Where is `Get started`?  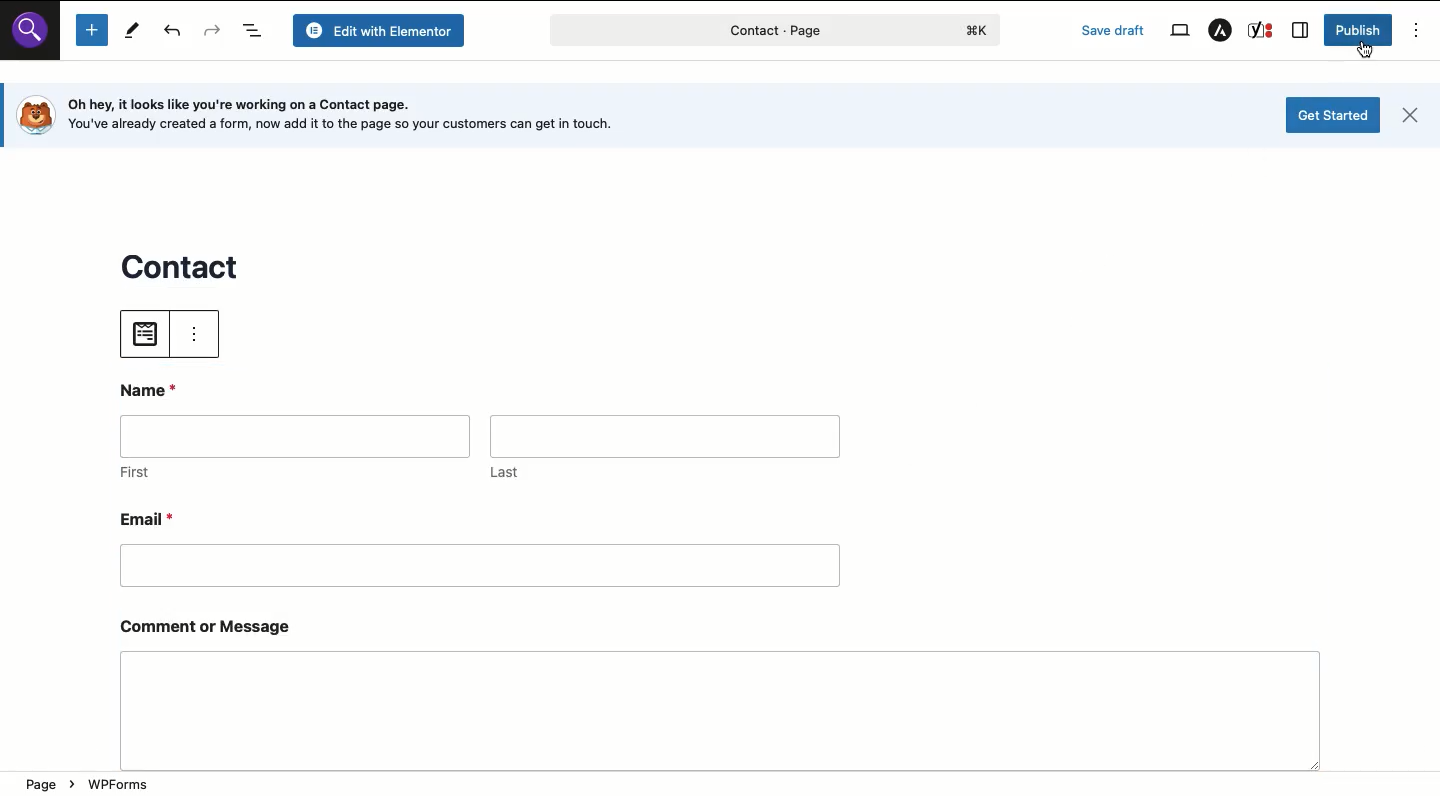 Get started is located at coordinates (1332, 115).